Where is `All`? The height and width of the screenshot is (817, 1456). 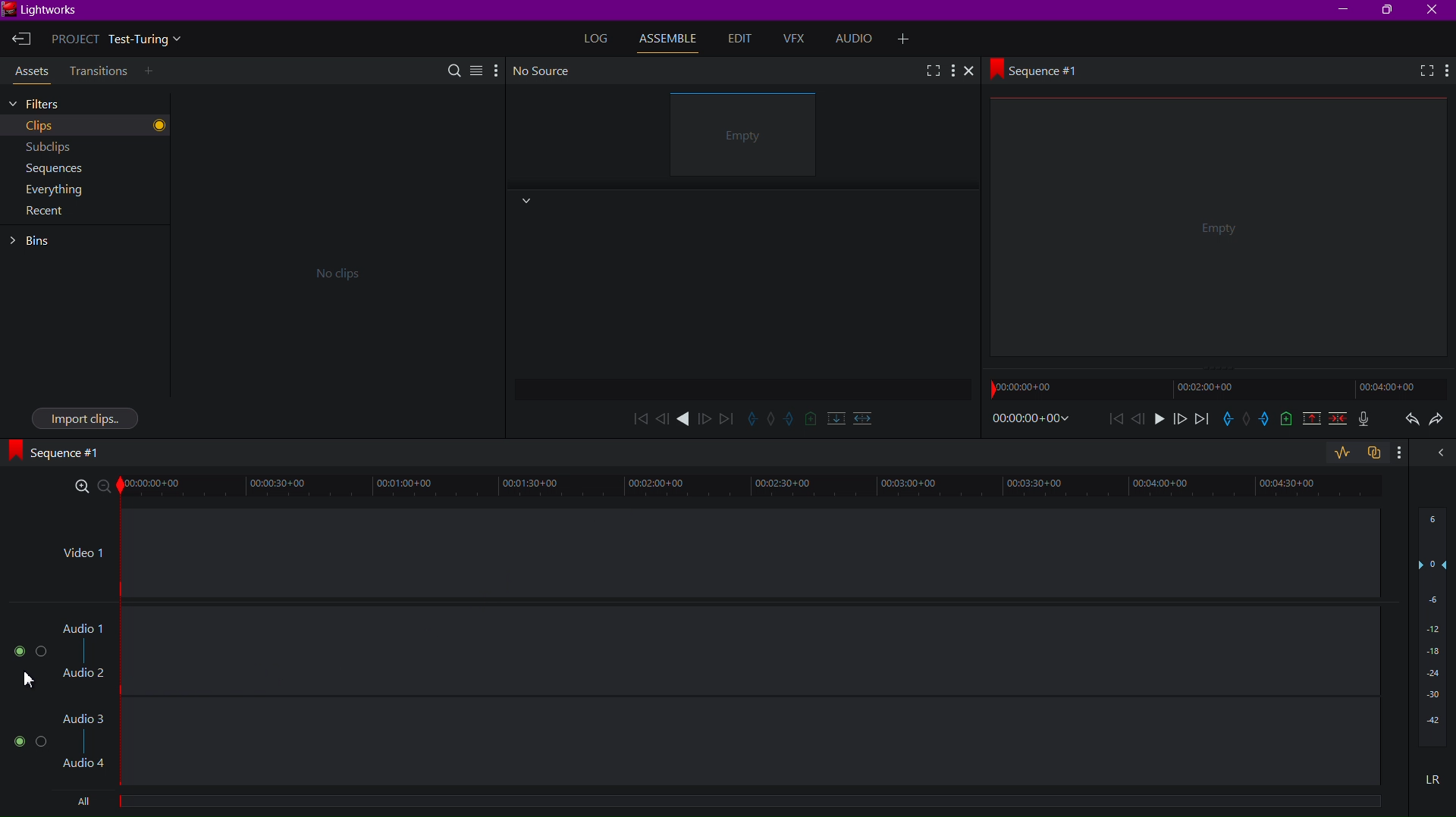
All is located at coordinates (79, 803).